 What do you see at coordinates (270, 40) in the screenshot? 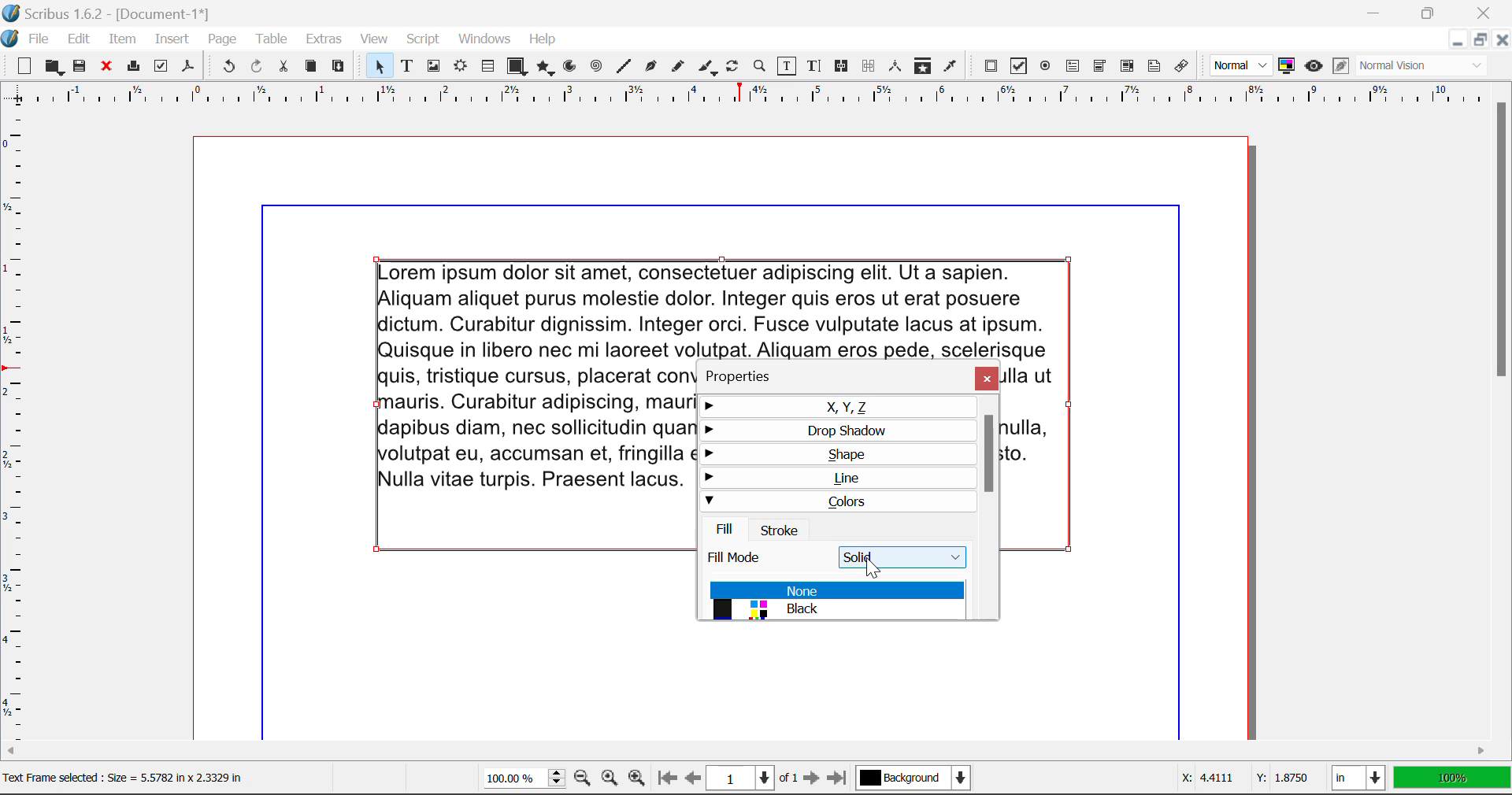
I see `Table` at bounding box center [270, 40].